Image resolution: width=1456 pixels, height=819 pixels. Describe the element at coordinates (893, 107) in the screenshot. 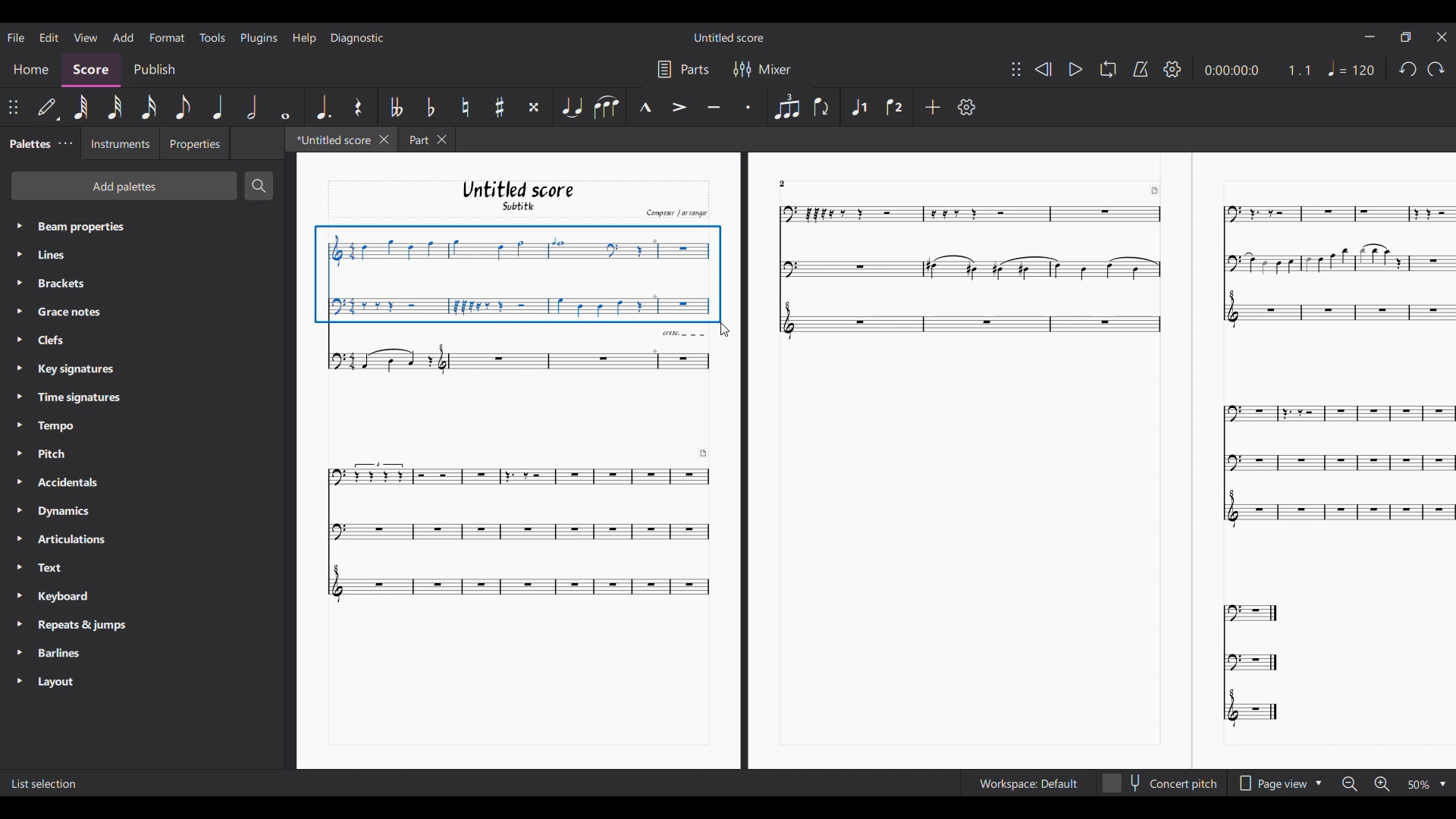

I see `Voice 2` at that location.